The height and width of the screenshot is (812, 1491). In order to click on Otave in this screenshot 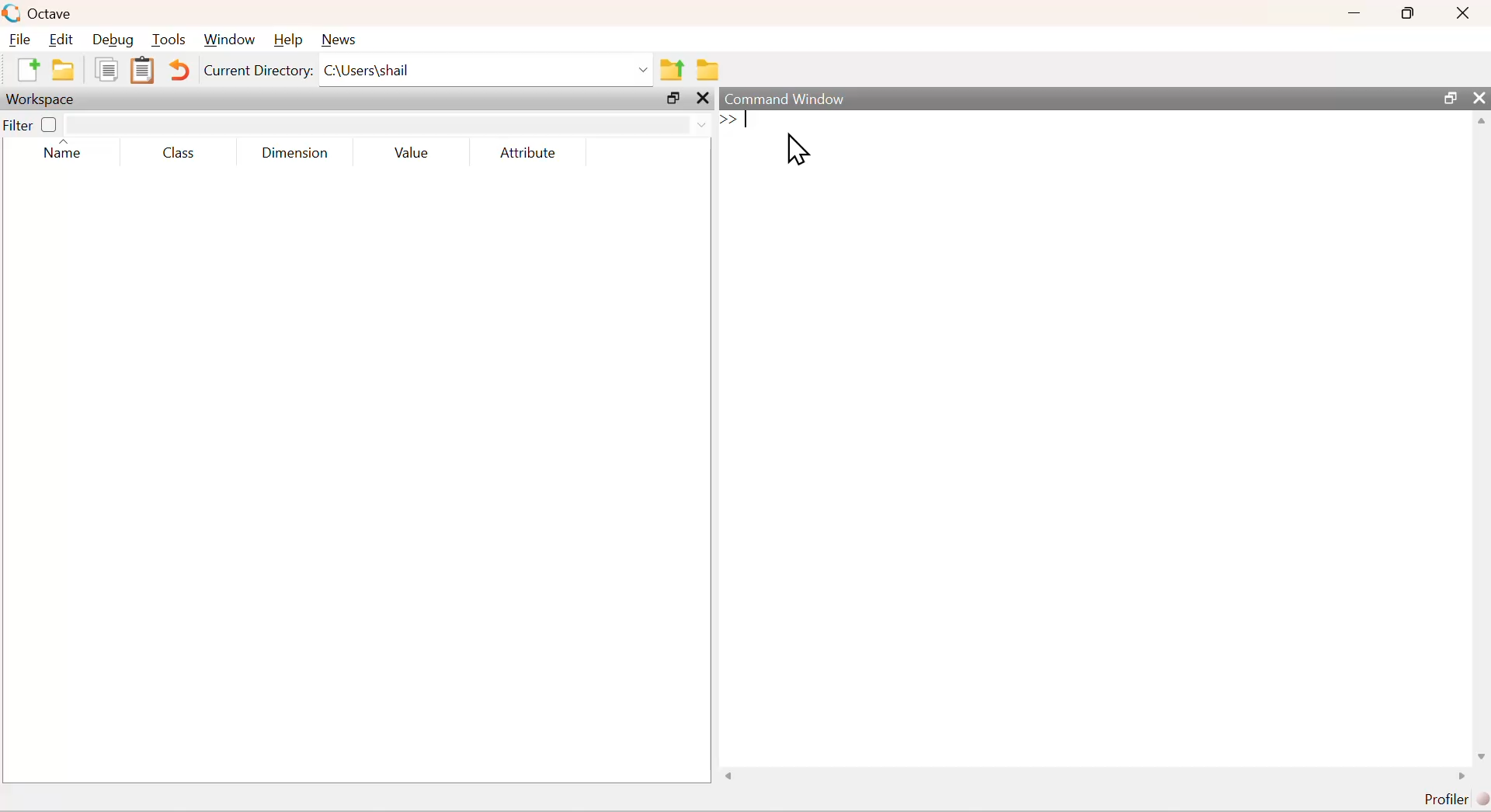, I will do `click(54, 14)`.